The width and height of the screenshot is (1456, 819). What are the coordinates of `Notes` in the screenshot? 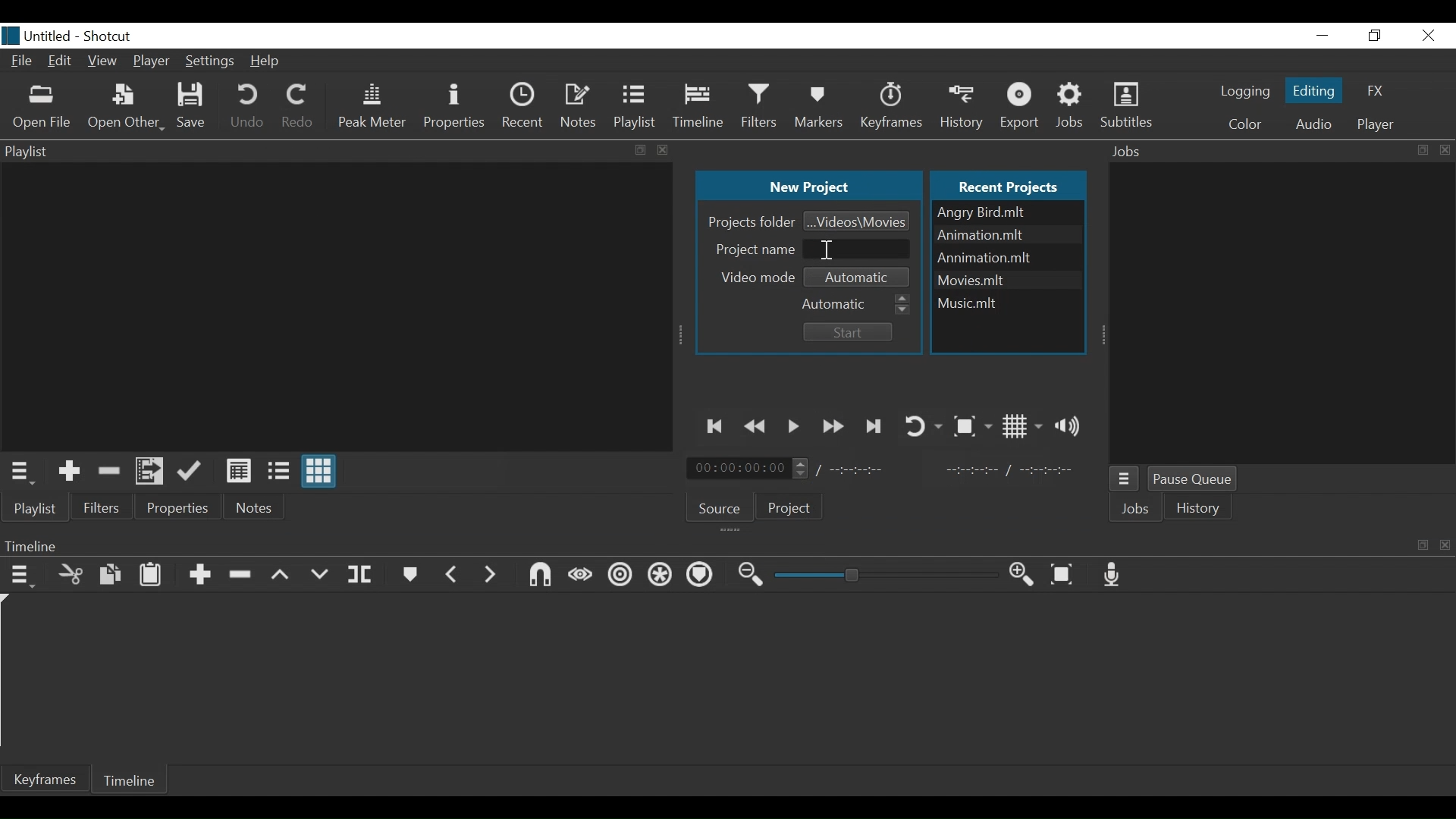 It's located at (256, 507).